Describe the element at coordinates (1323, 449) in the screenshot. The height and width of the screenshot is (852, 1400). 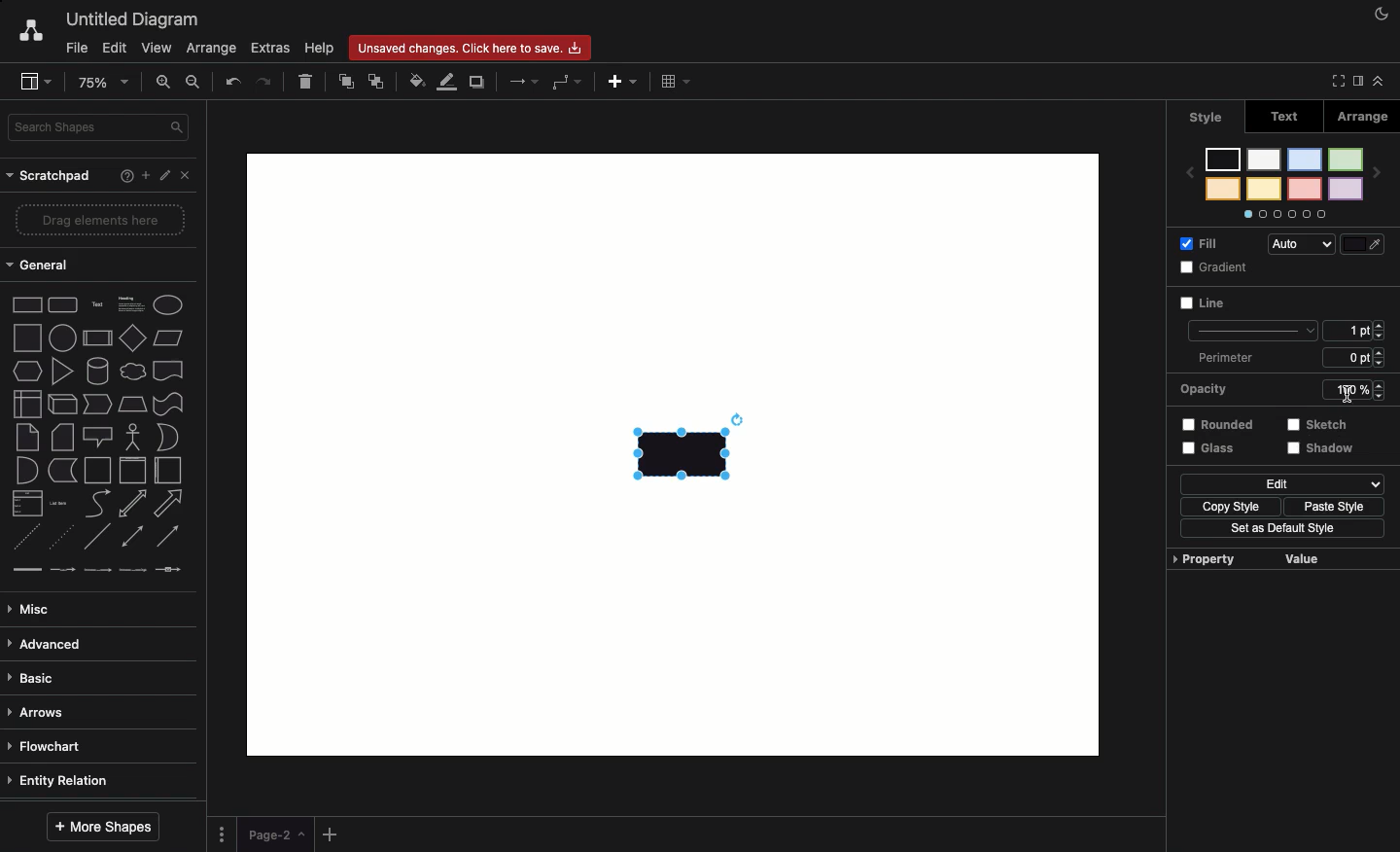
I see `Shadow` at that location.